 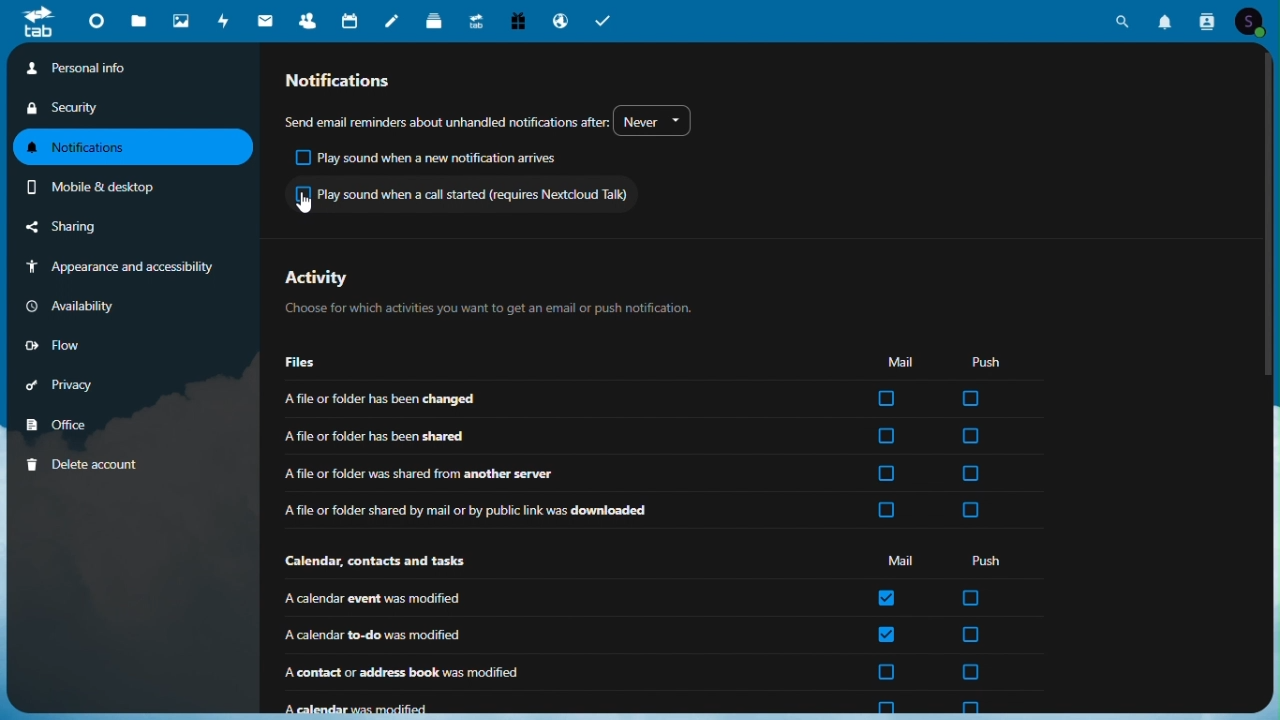 I want to click on check box, so click(x=887, y=635).